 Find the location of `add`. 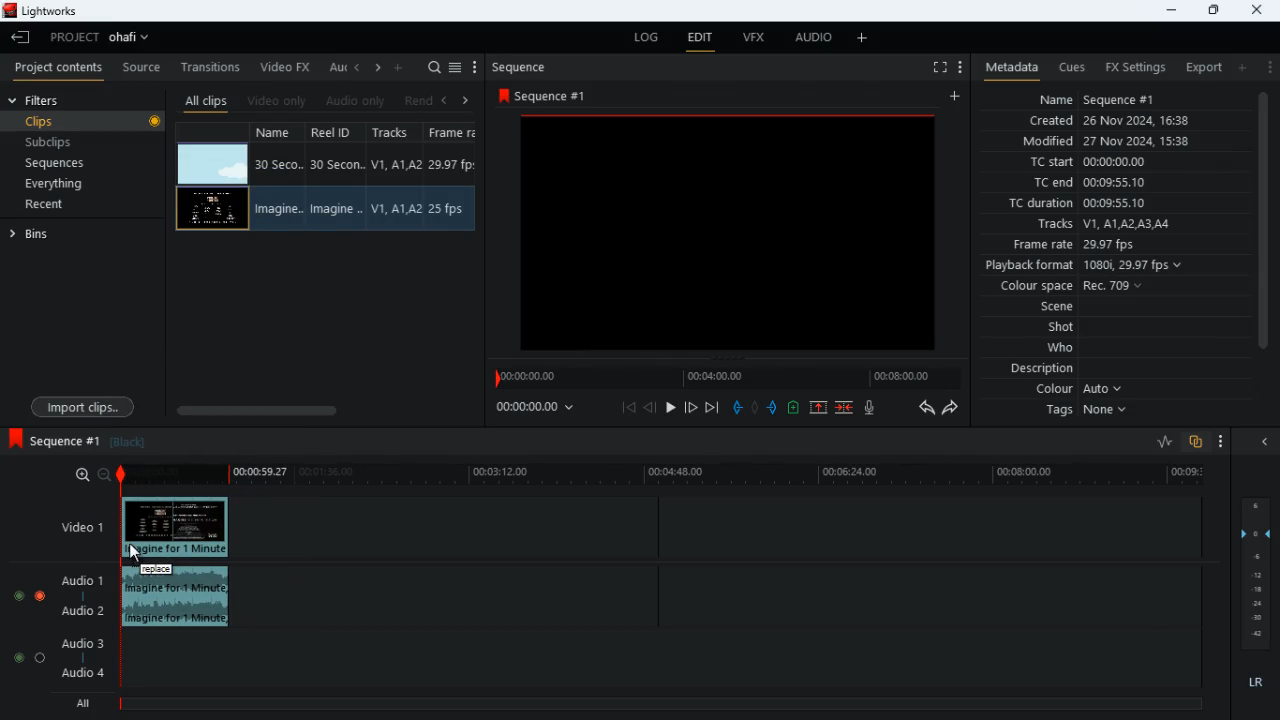

add is located at coordinates (1242, 68).